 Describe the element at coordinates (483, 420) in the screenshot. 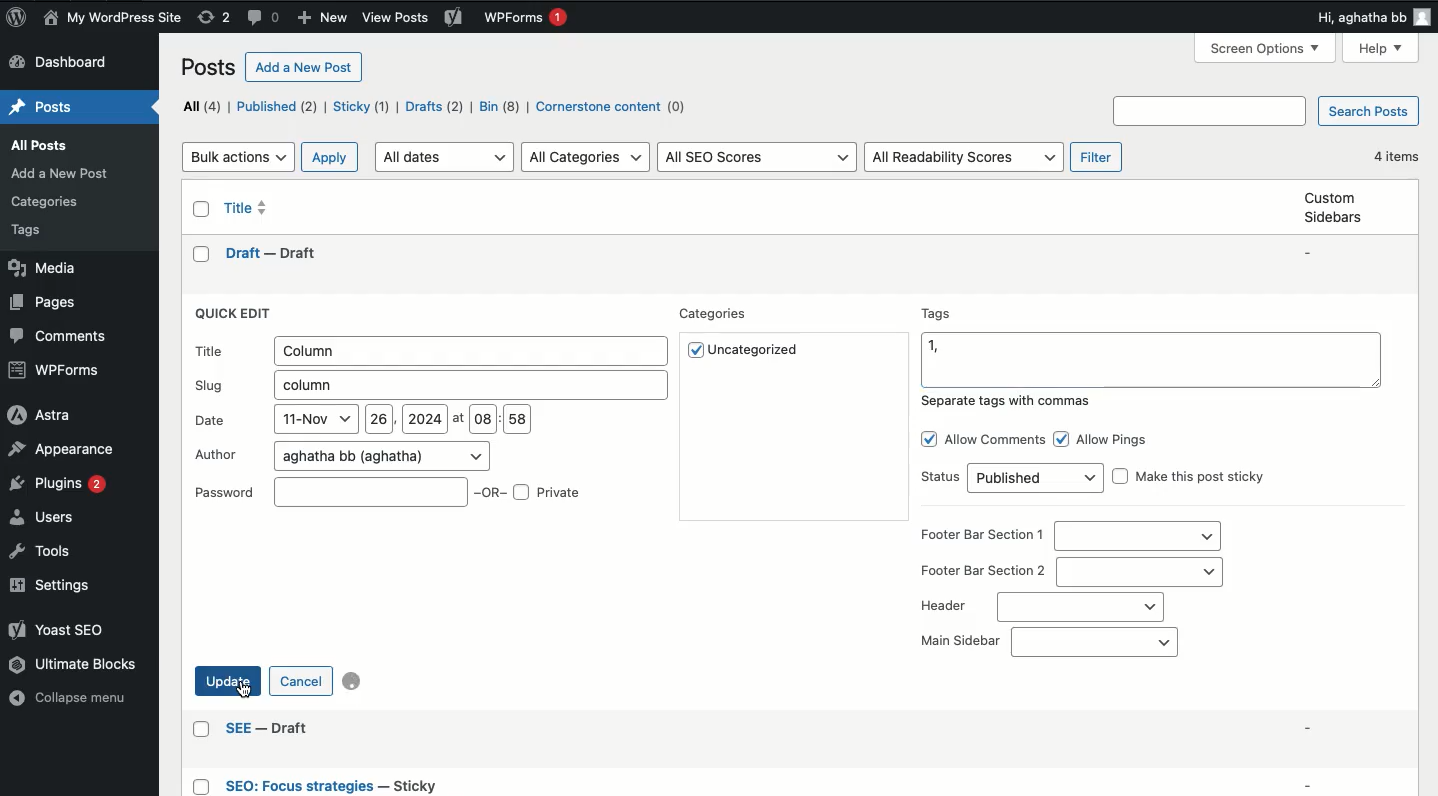

I see `08` at that location.